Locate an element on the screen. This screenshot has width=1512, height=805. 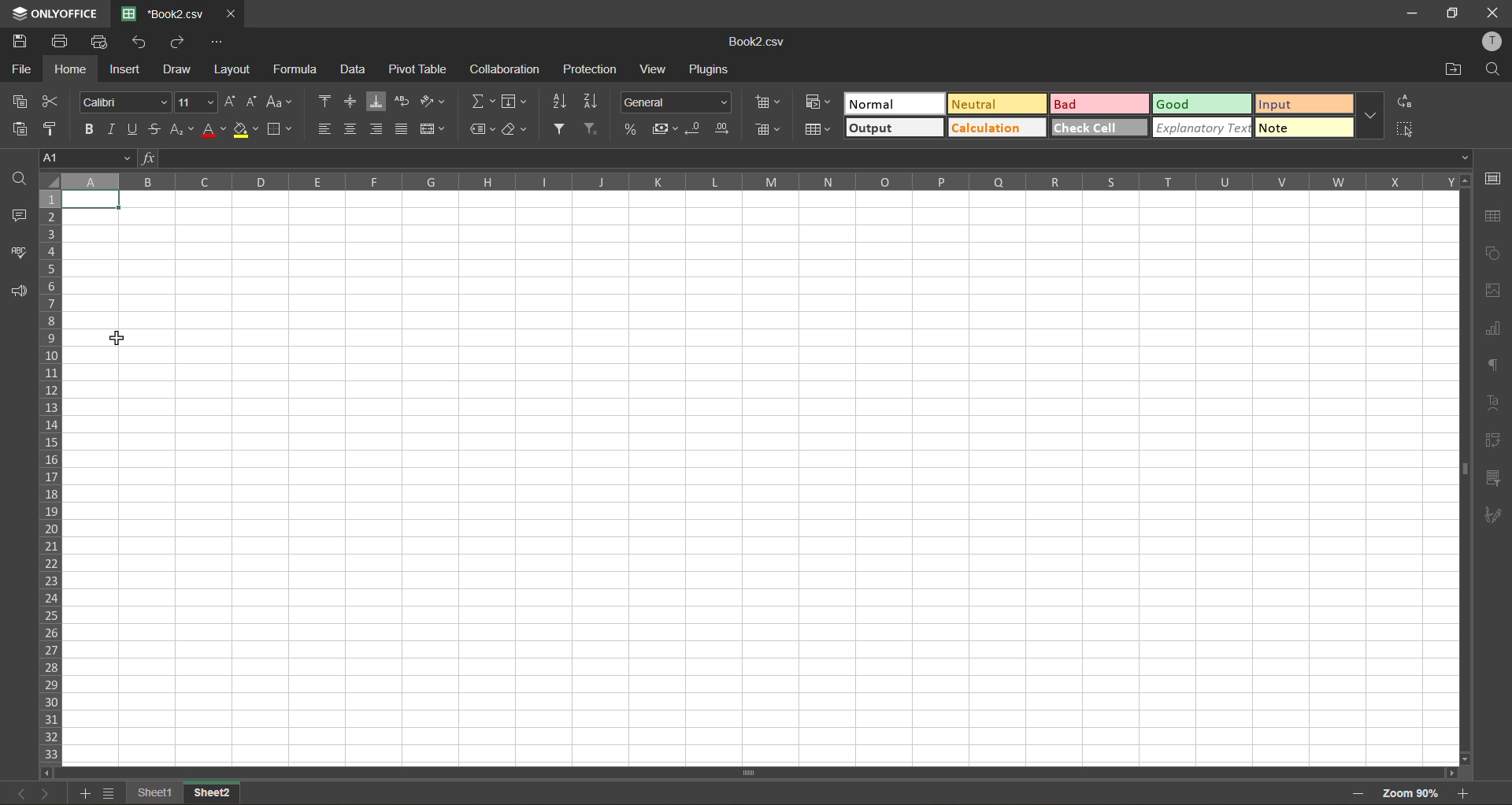
images is located at coordinates (1494, 291).